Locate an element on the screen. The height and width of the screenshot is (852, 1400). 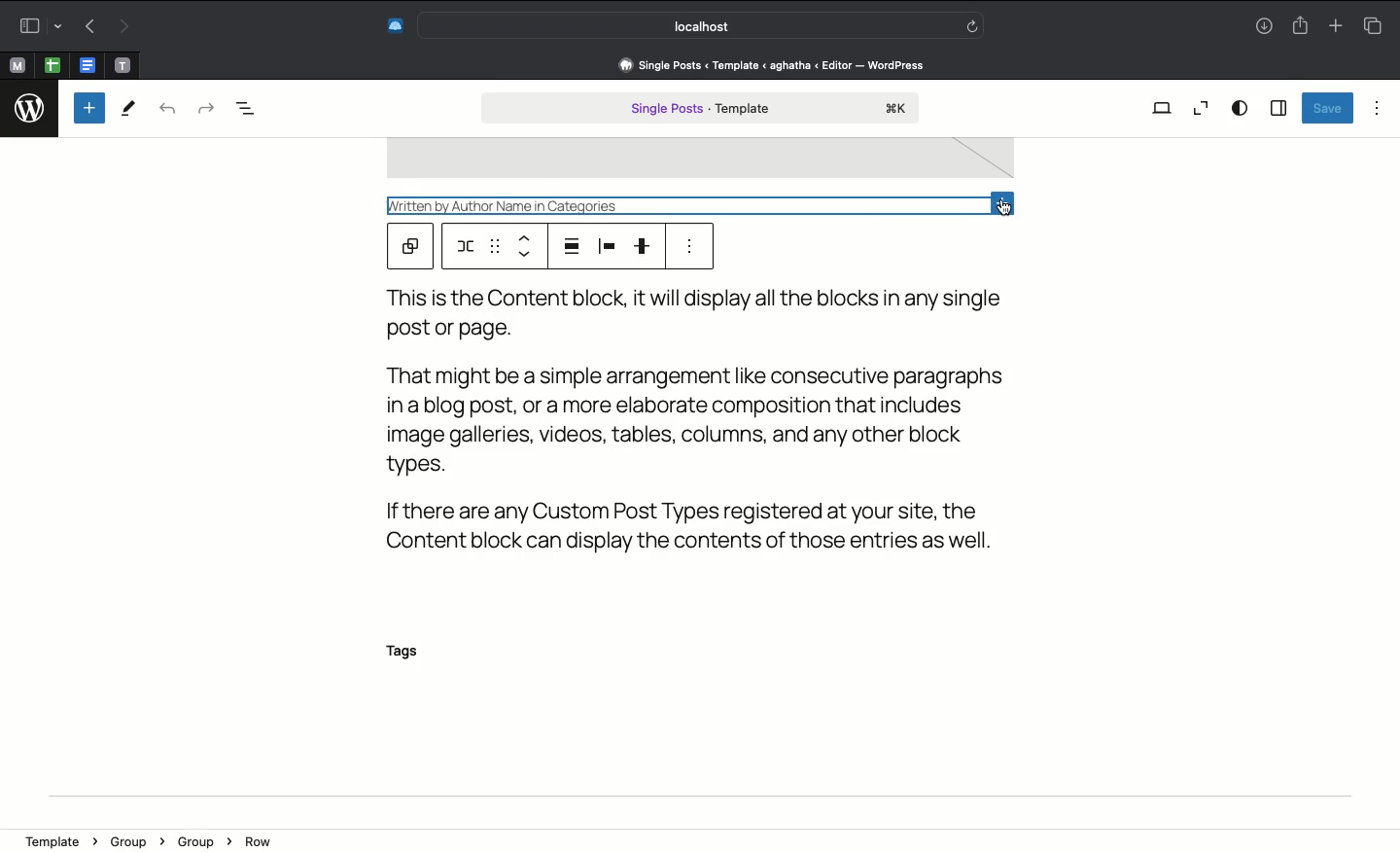
Parent block group is located at coordinates (409, 247).